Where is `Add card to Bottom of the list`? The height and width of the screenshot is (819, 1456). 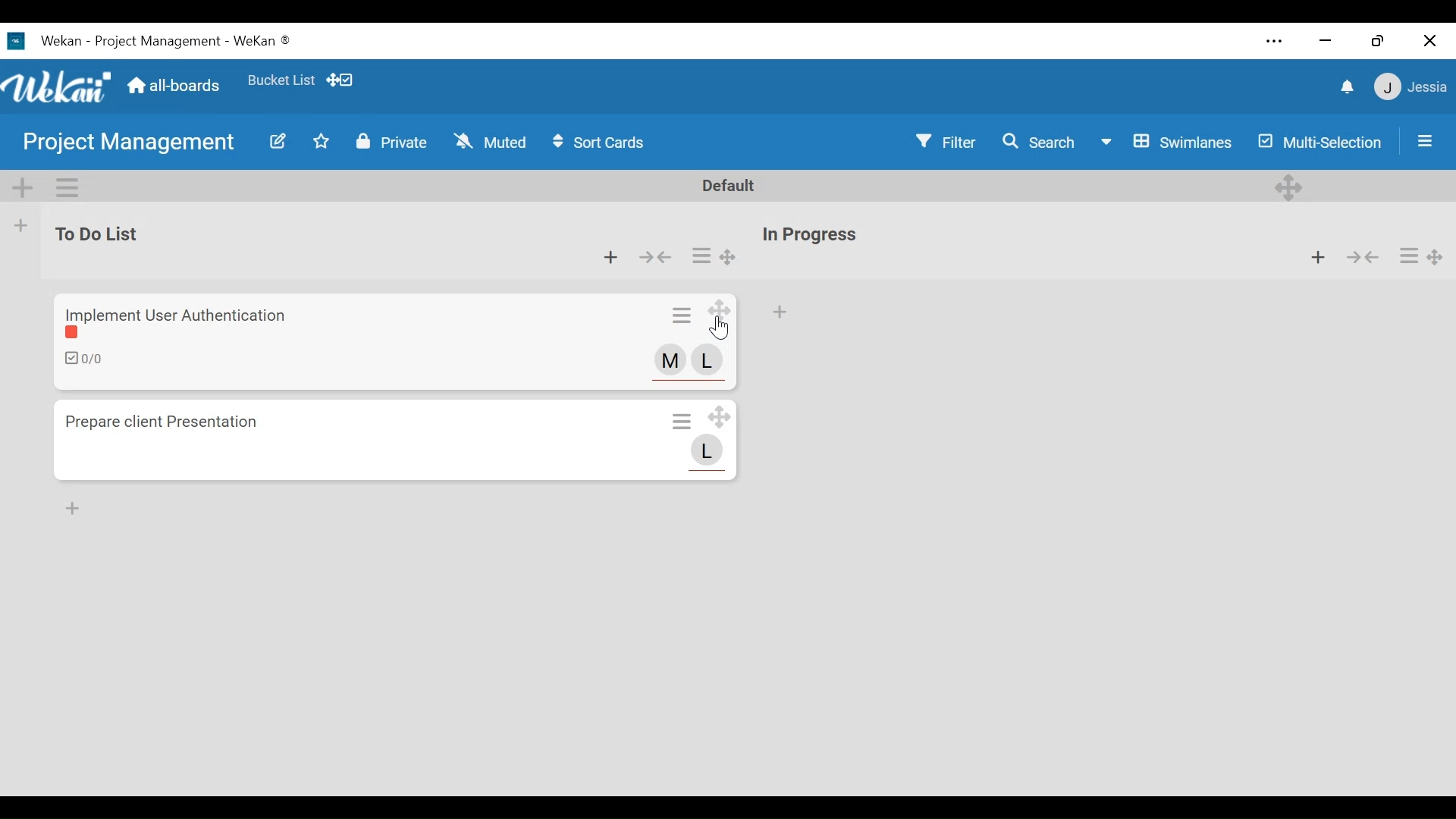
Add card to Bottom of the list is located at coordinates (71, 509).